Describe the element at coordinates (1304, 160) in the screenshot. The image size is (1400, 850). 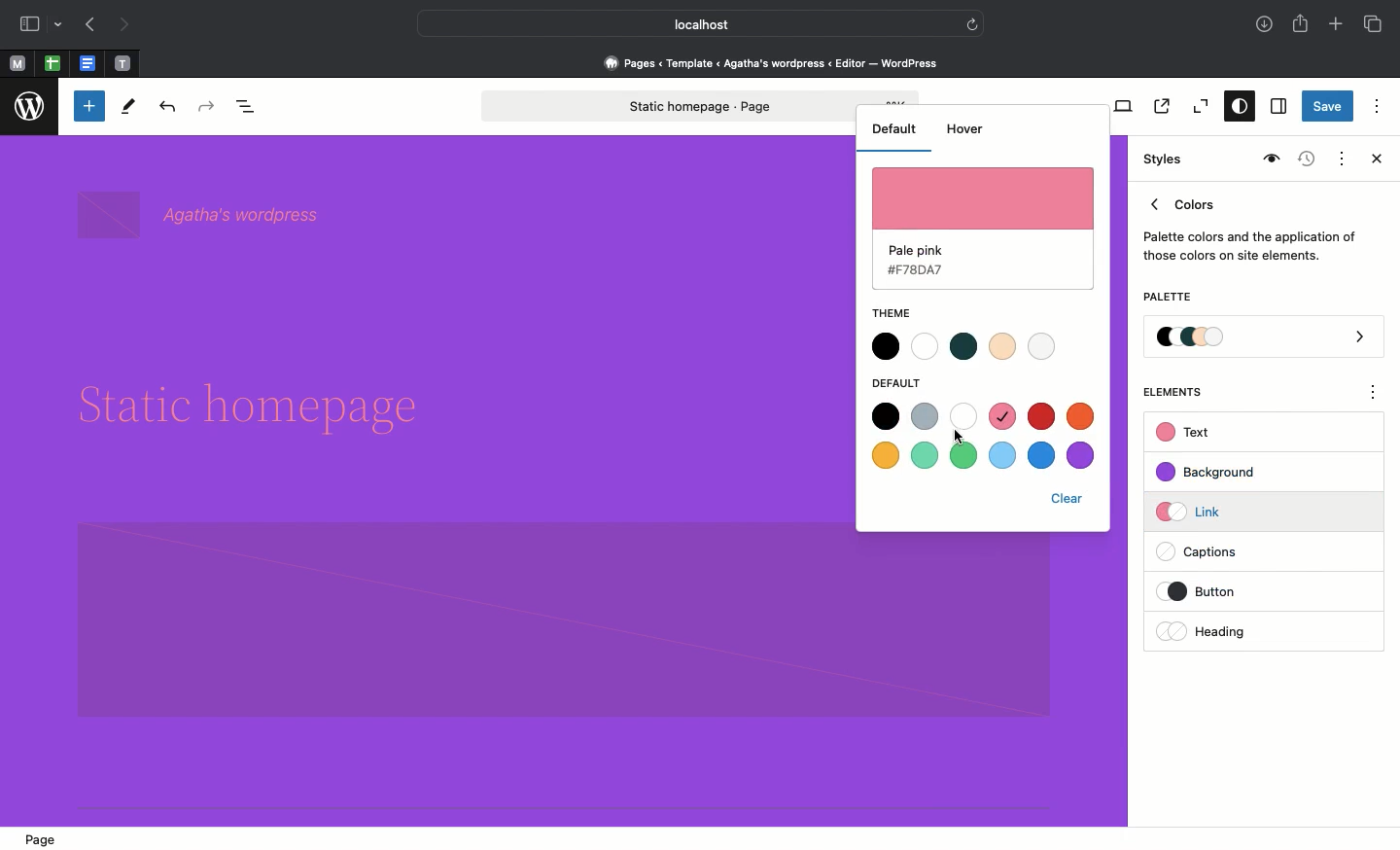
I see `Revisions` at that location.